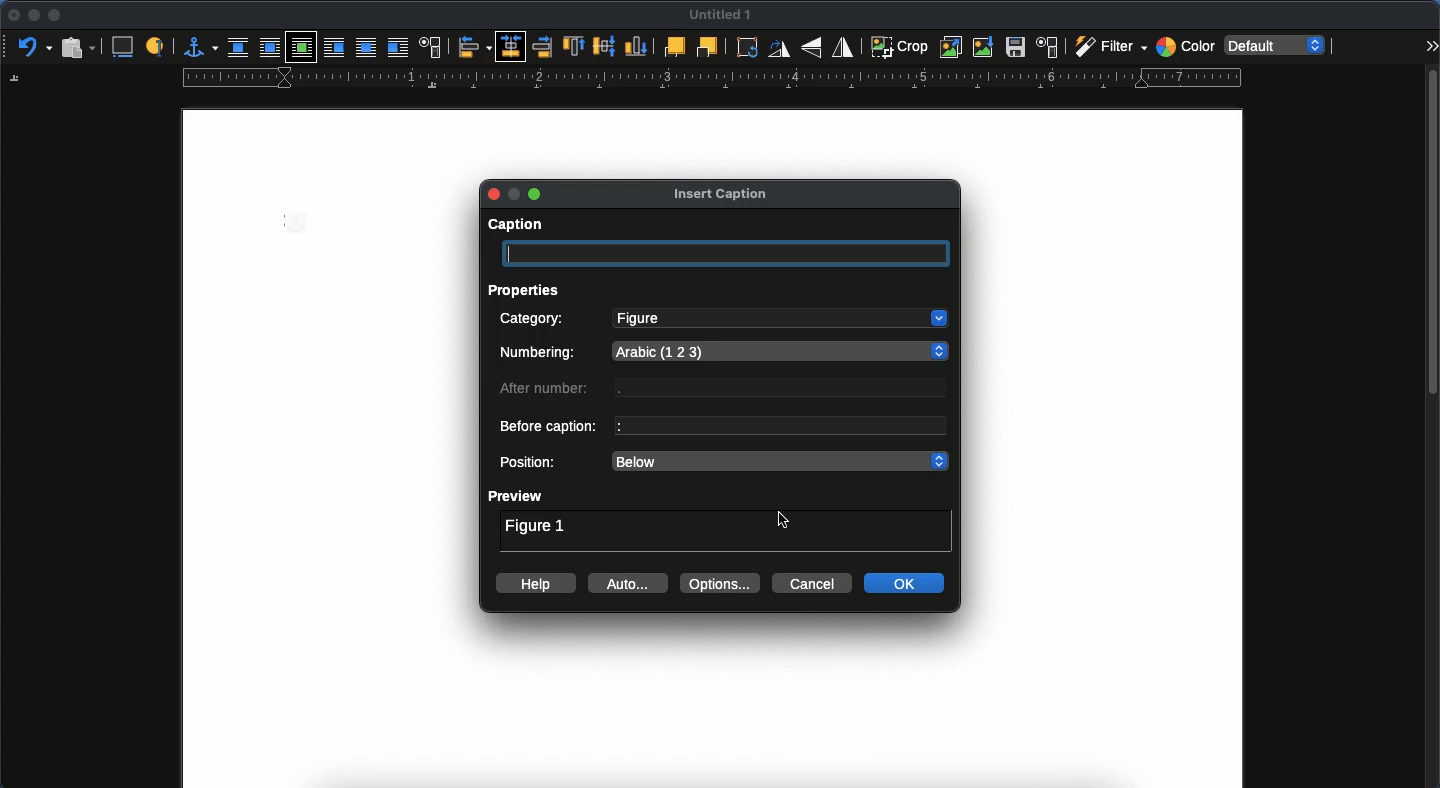 Image resolution: width=1440 pixels, height=788 pixels. Describe the element at coordinates (630, 583) in the screenshot. I see `auto` at that location.